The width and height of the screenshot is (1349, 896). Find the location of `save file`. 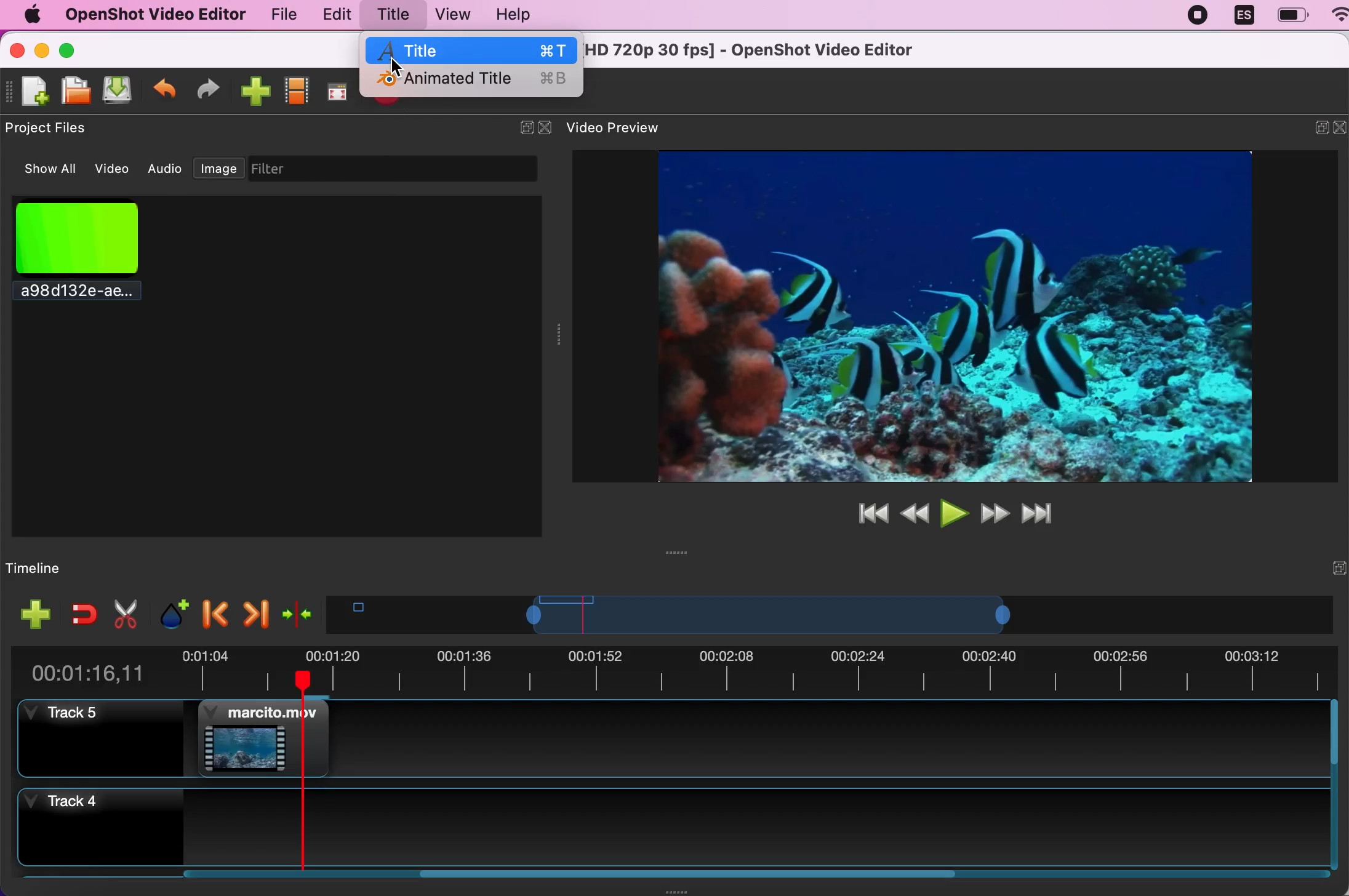

save file is located at coordinates (121, 92).